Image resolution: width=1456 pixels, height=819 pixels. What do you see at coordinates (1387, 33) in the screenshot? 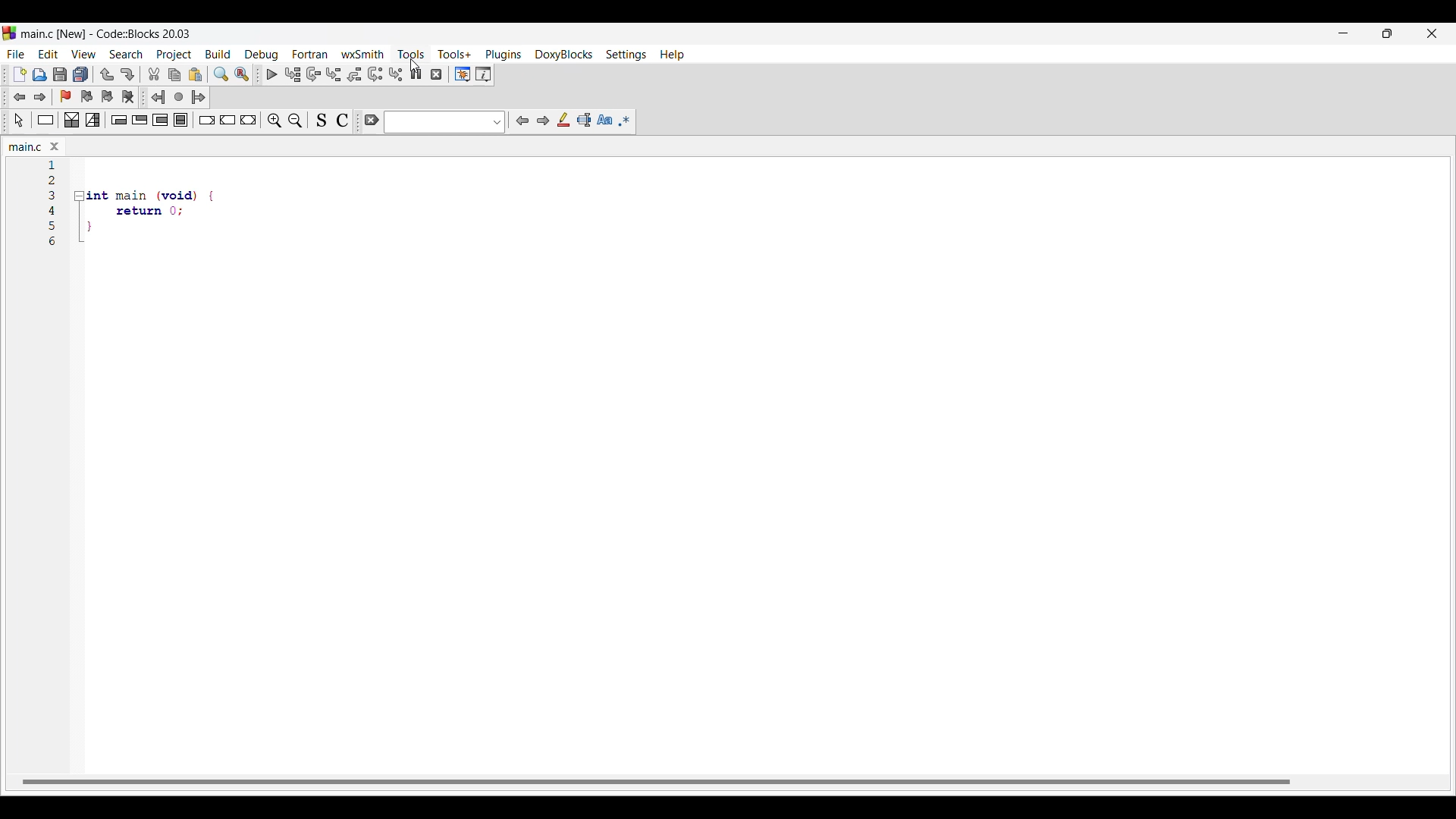
I see `Show interface in smaller tab` at bounding box center [1387, 33].